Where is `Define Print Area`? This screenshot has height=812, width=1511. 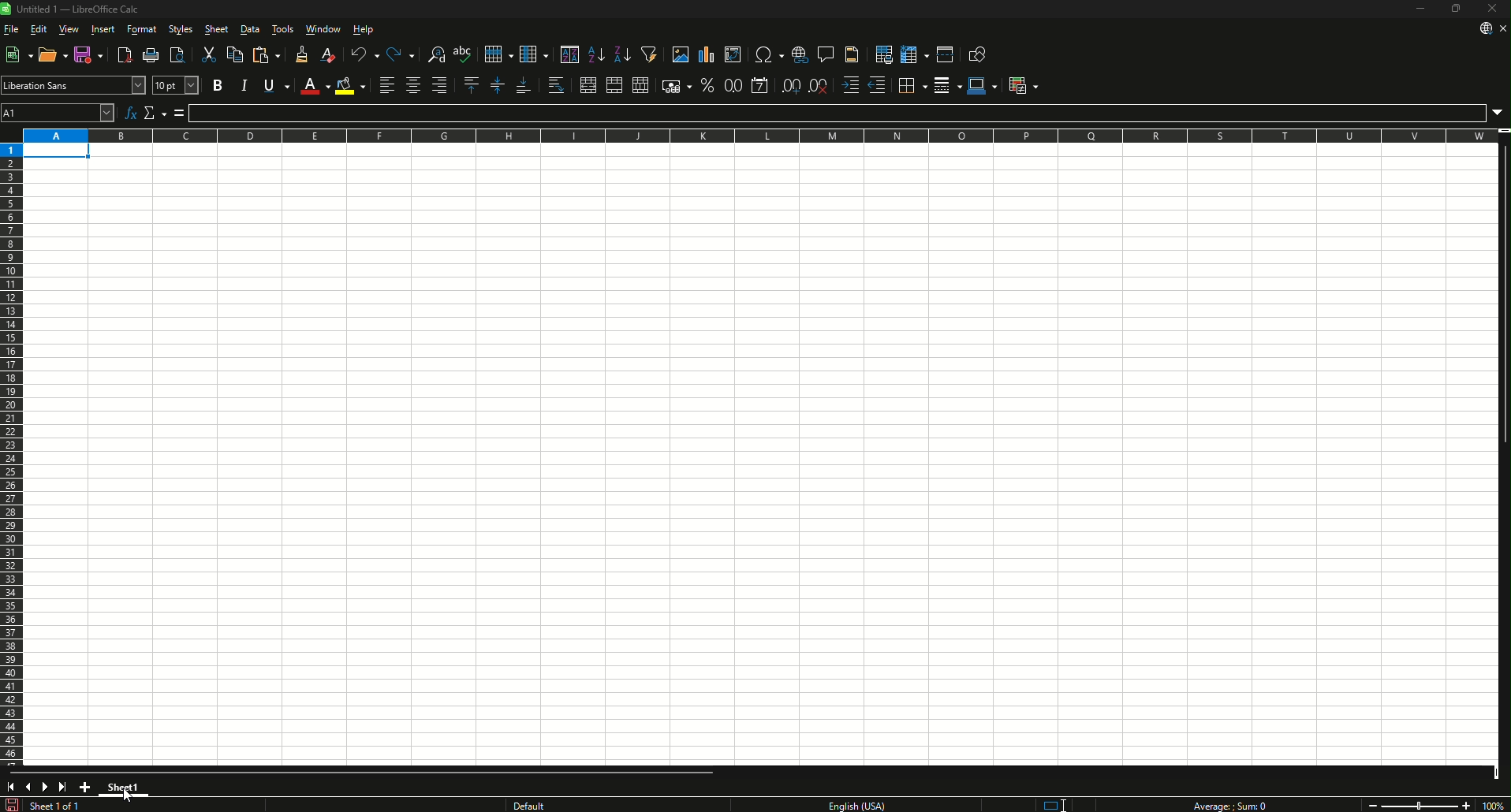 Define Print Area is located at coordinates (884, 54).